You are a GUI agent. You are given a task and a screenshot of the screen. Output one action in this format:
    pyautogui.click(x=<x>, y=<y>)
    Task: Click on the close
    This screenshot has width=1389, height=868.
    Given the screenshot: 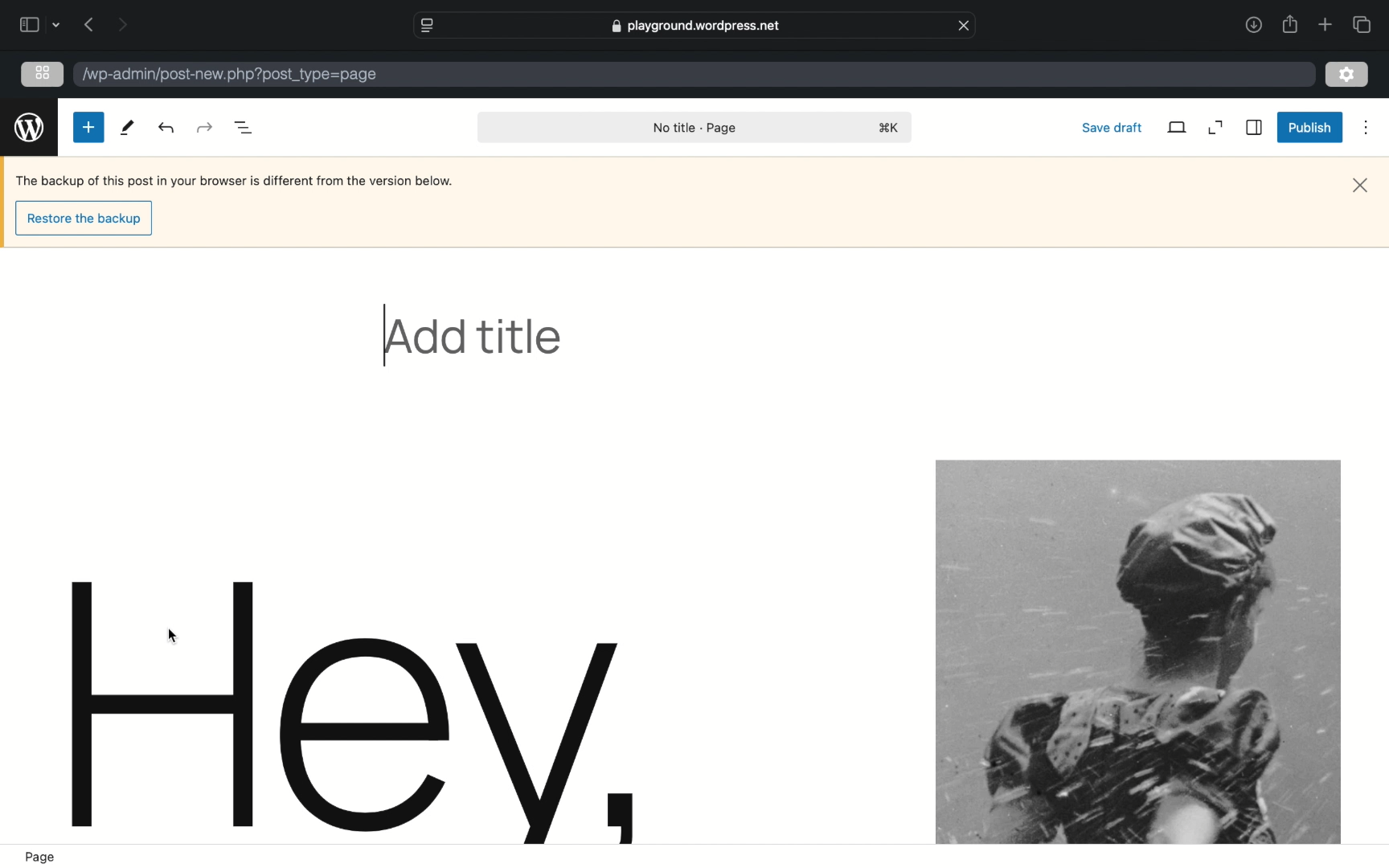 What is the action you would take?
    pyautogui.click(x=1362, y=186)
    